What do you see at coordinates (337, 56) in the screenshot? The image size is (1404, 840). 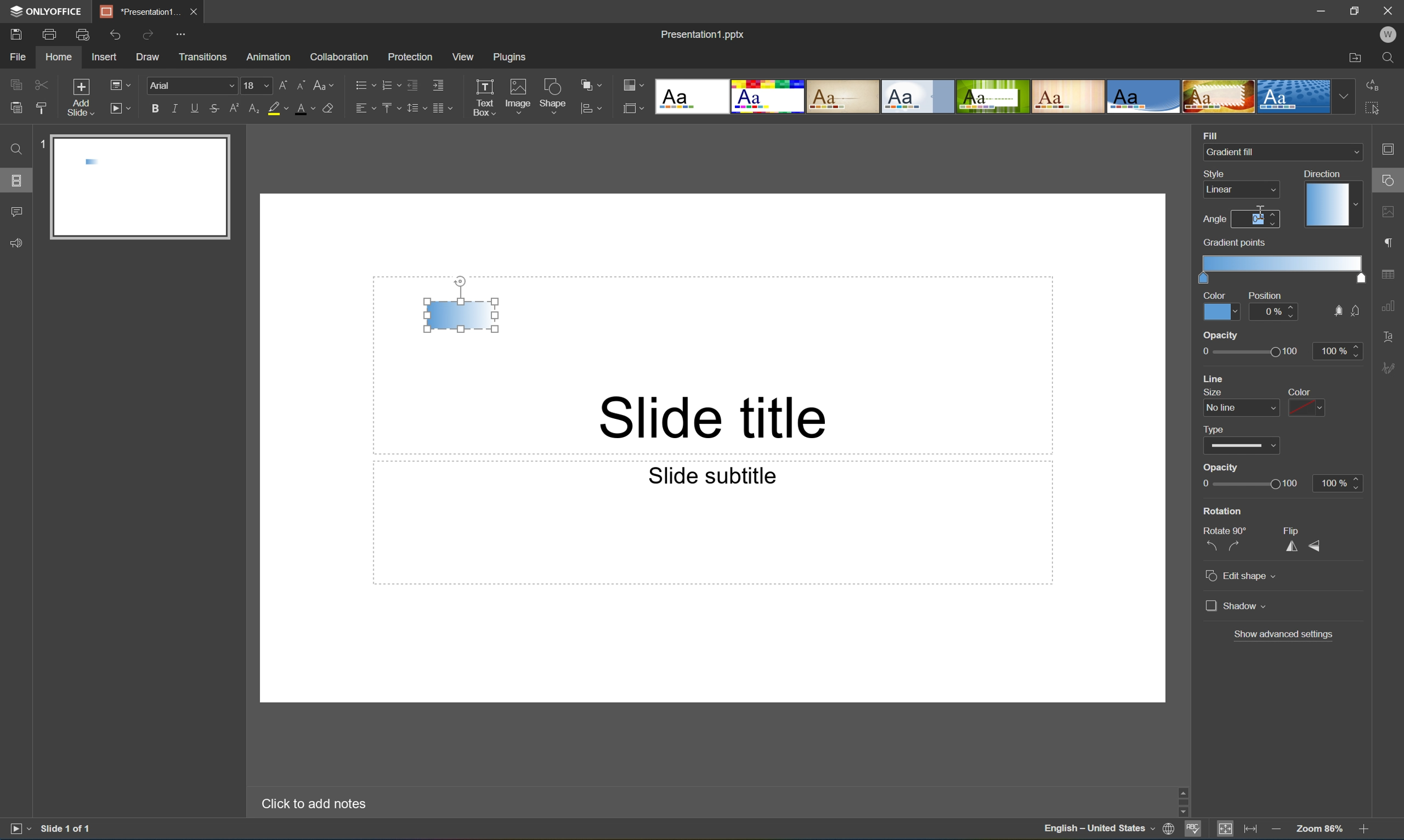 I see `Collaboration` at bounding box center [337, 56].